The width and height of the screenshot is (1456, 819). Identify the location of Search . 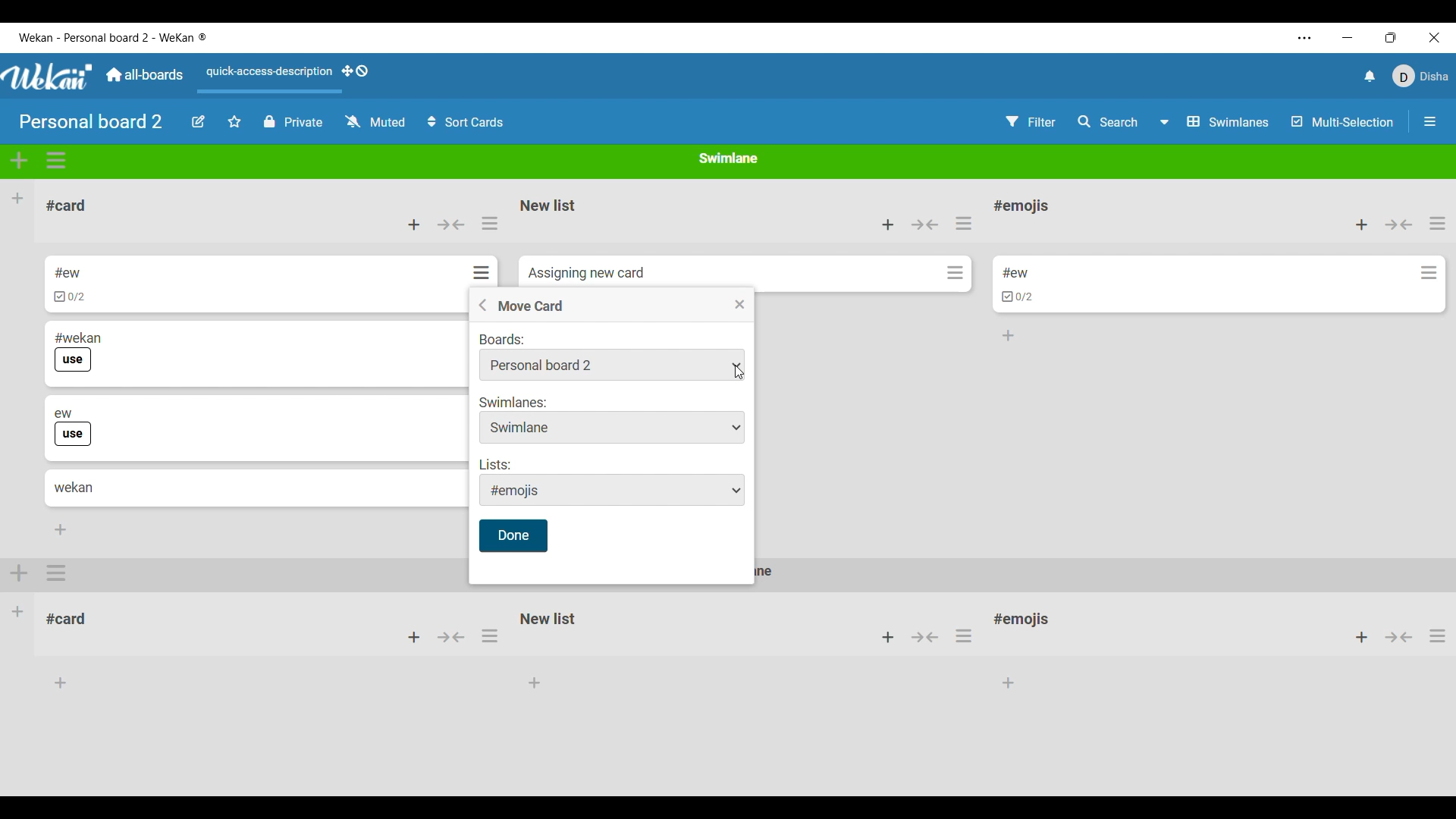
(1109, 121).